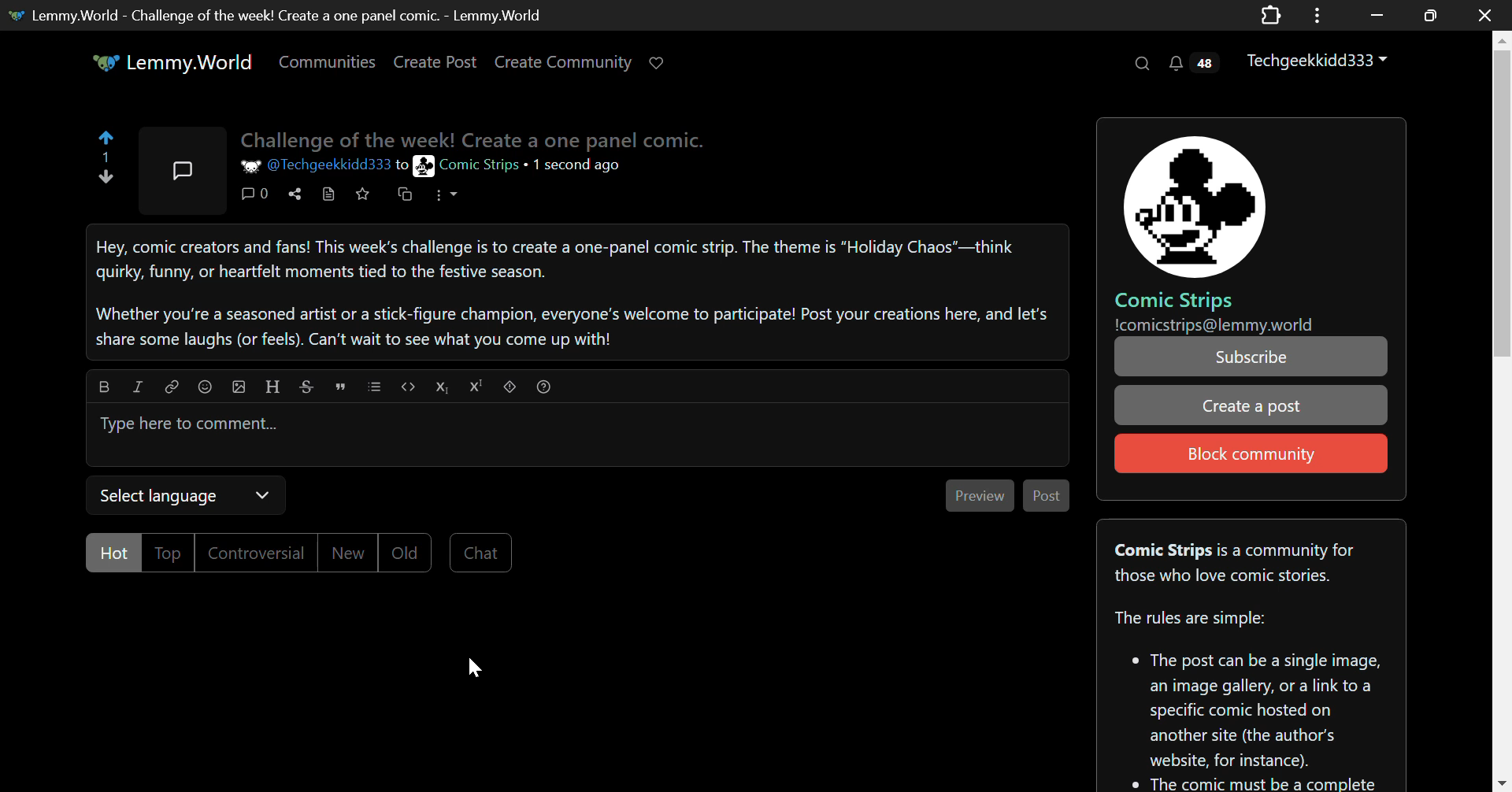 The height and width of the screenshot is (792, 1512). I want to click on View Source, so click(331, 195).